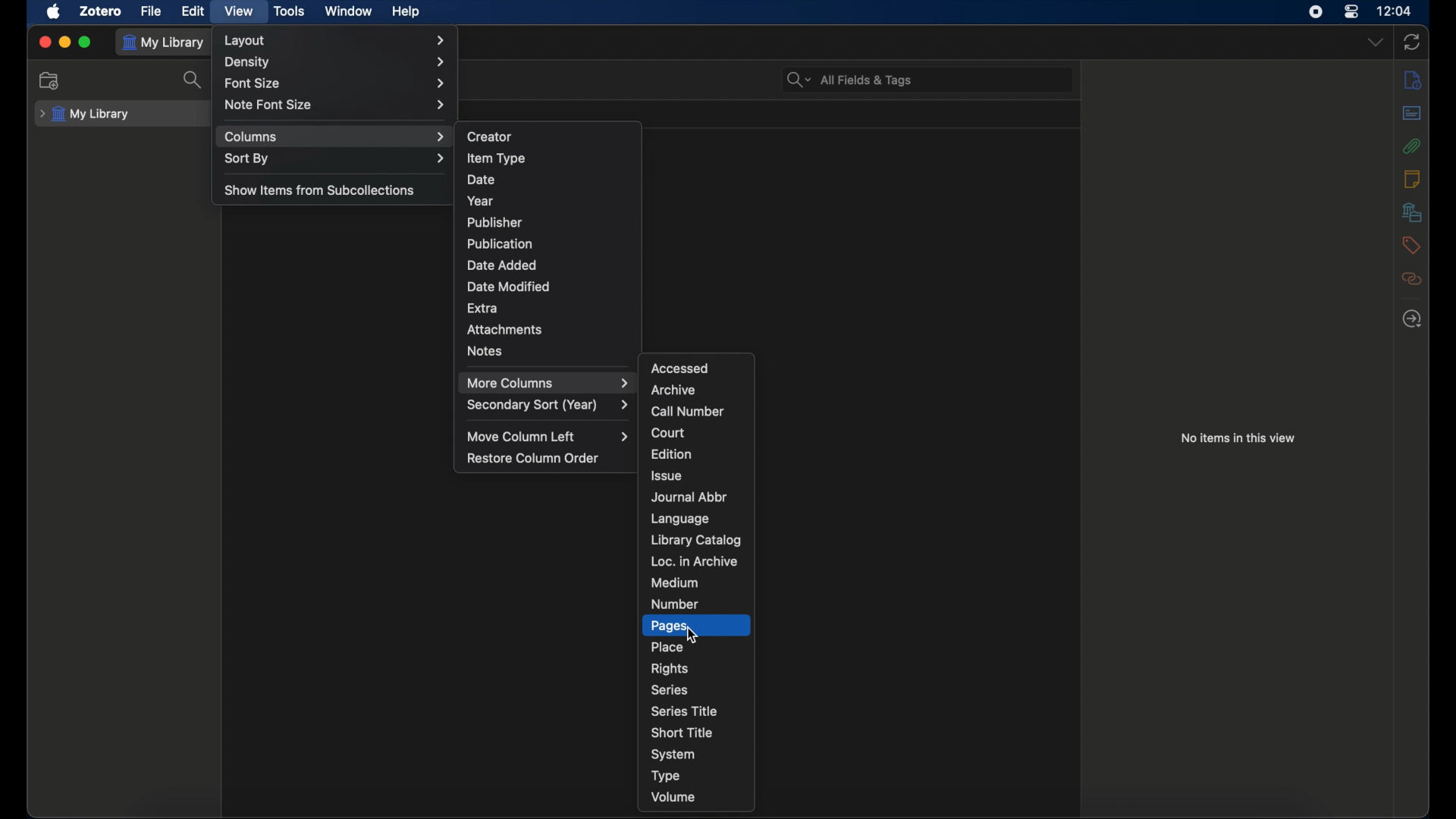 This screenshot has width=1456, height=819. What do you see at coordinates (485, 350) in the screenshot?
I see `notes` at bounding box center [485, 350].